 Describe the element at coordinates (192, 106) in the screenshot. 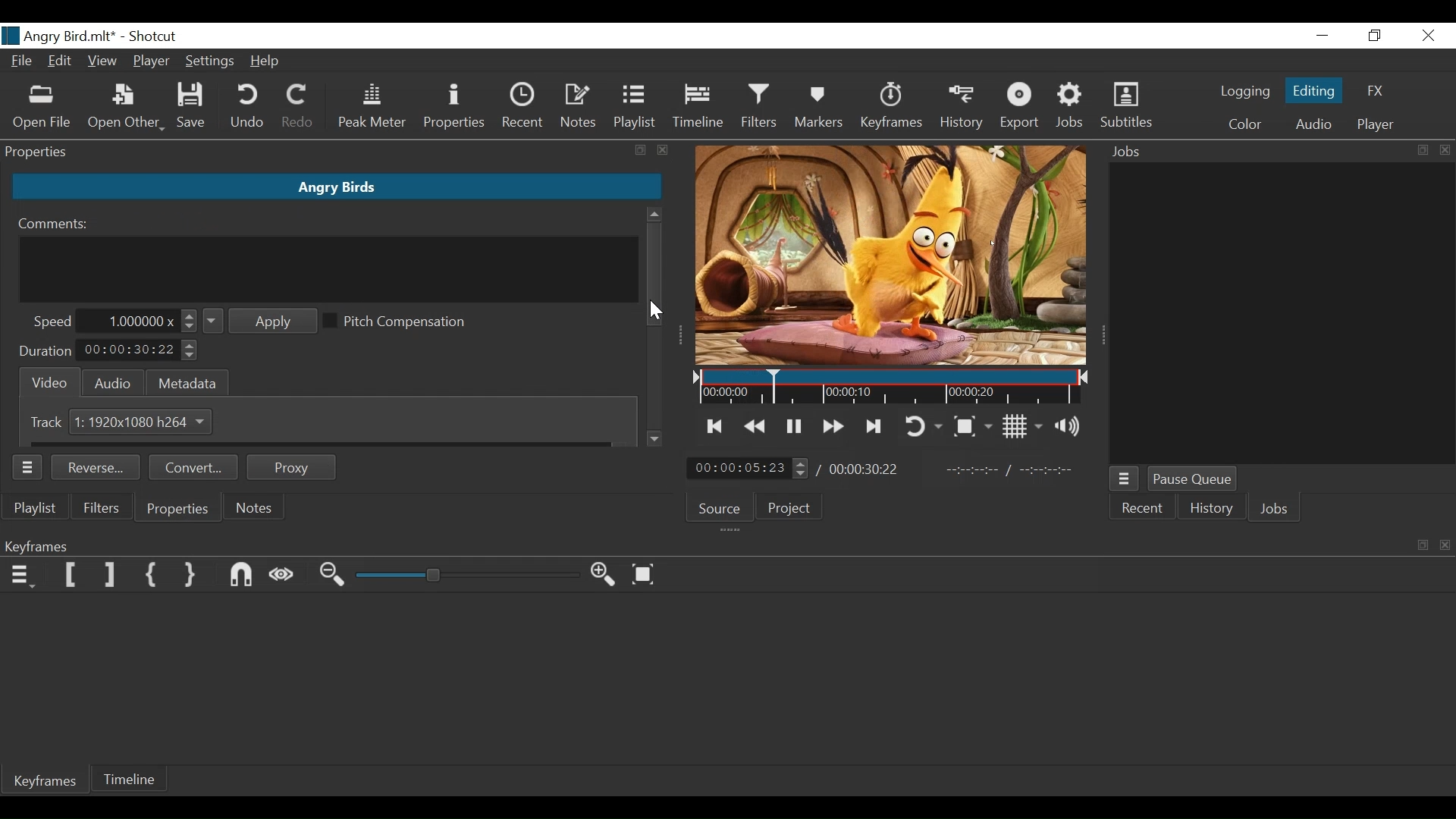

I see `Save` at that location.